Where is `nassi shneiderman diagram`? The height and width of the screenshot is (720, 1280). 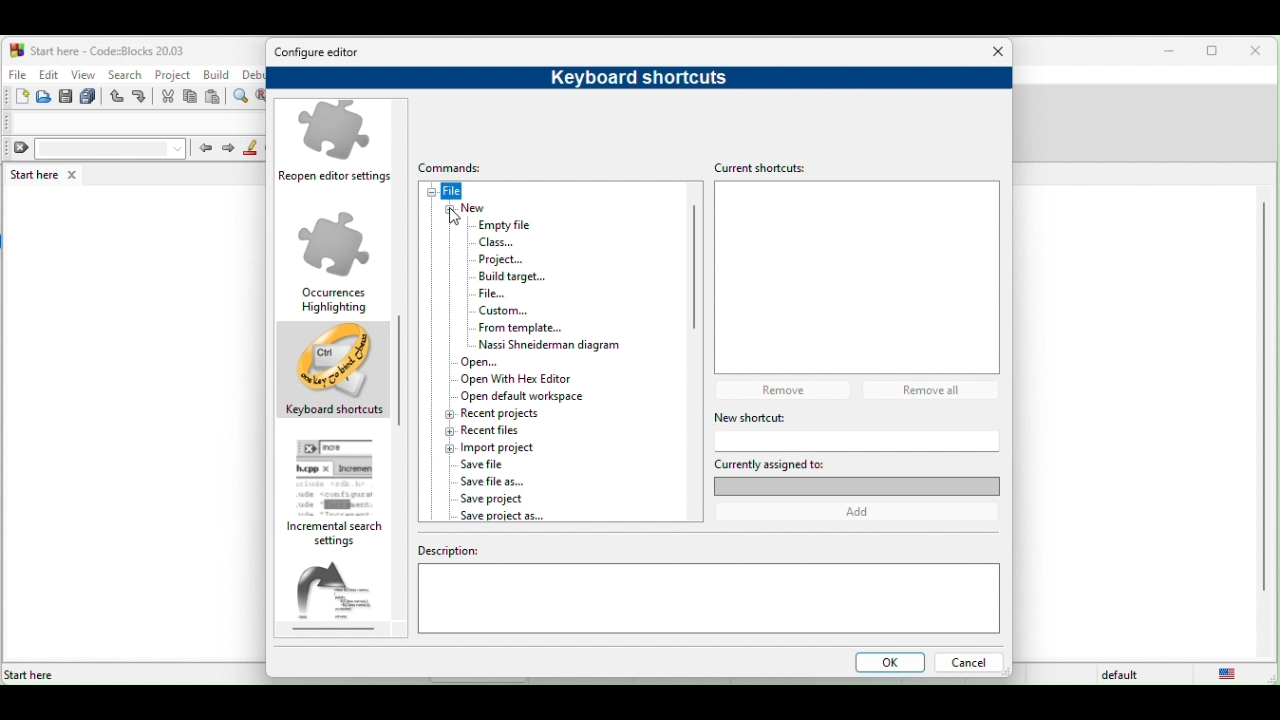 nassi shneiderman diagram is located at coordinates (544, 344).